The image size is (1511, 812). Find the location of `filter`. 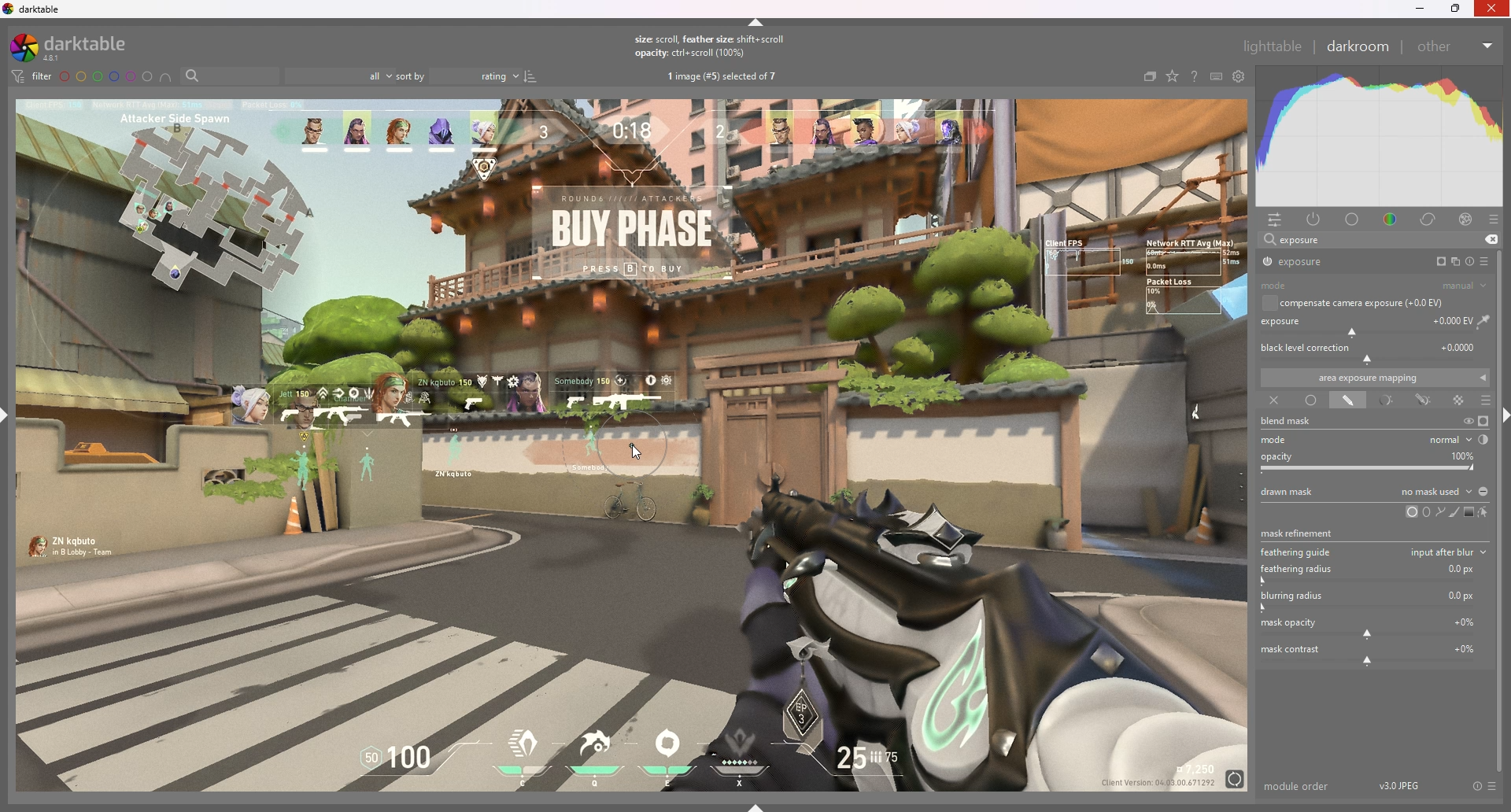

filter is located at coordinates (33, 76).